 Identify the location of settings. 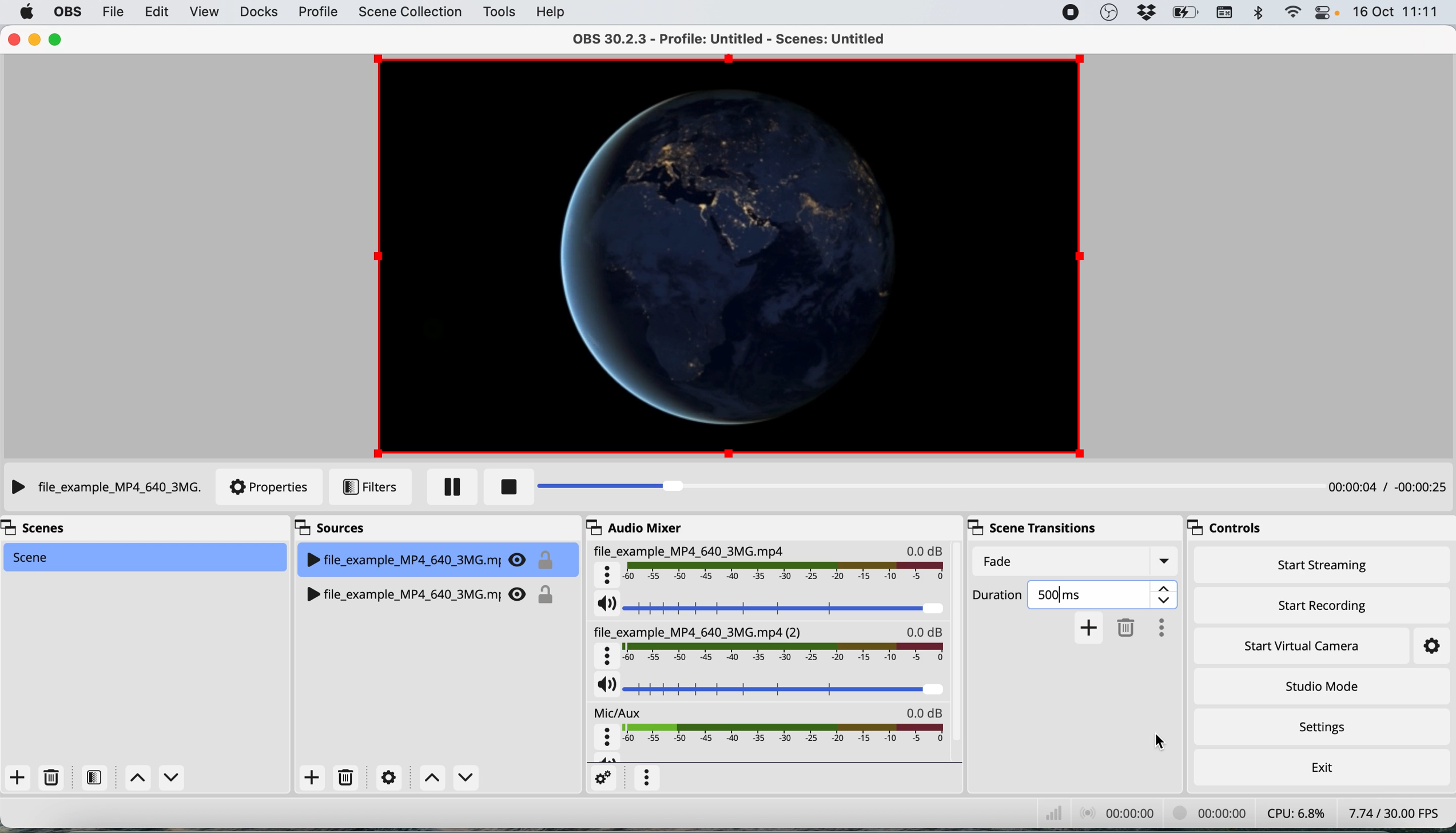
(1320, 727).